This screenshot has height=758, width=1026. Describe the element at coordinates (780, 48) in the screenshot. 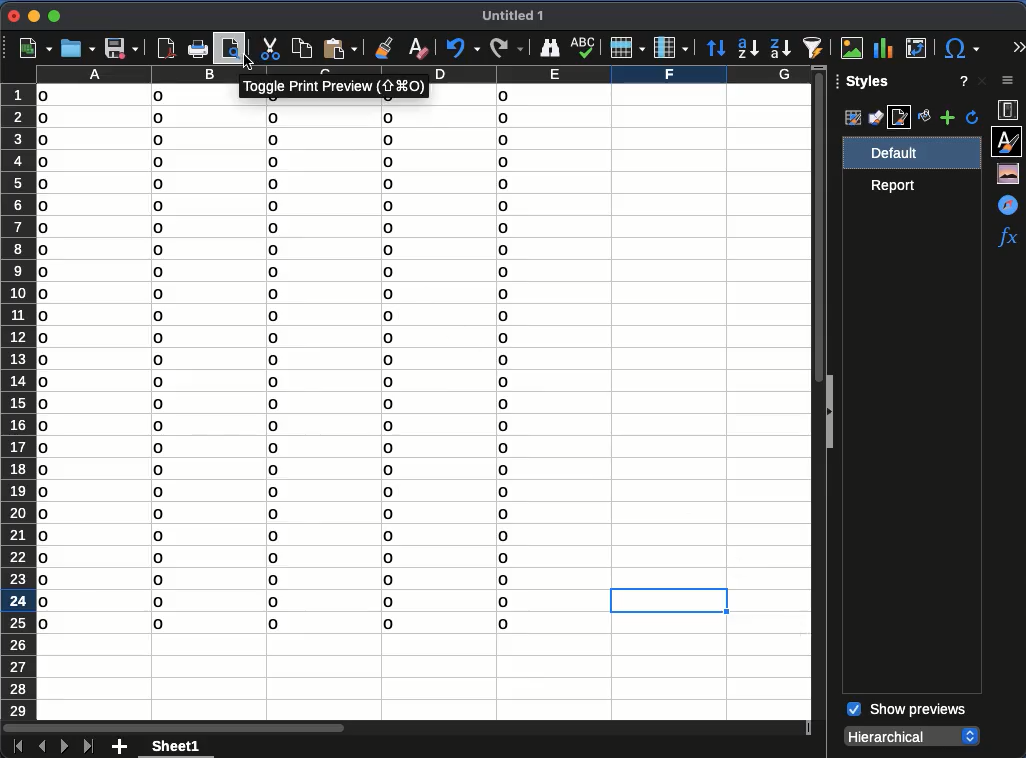

I see `descending` at that location.